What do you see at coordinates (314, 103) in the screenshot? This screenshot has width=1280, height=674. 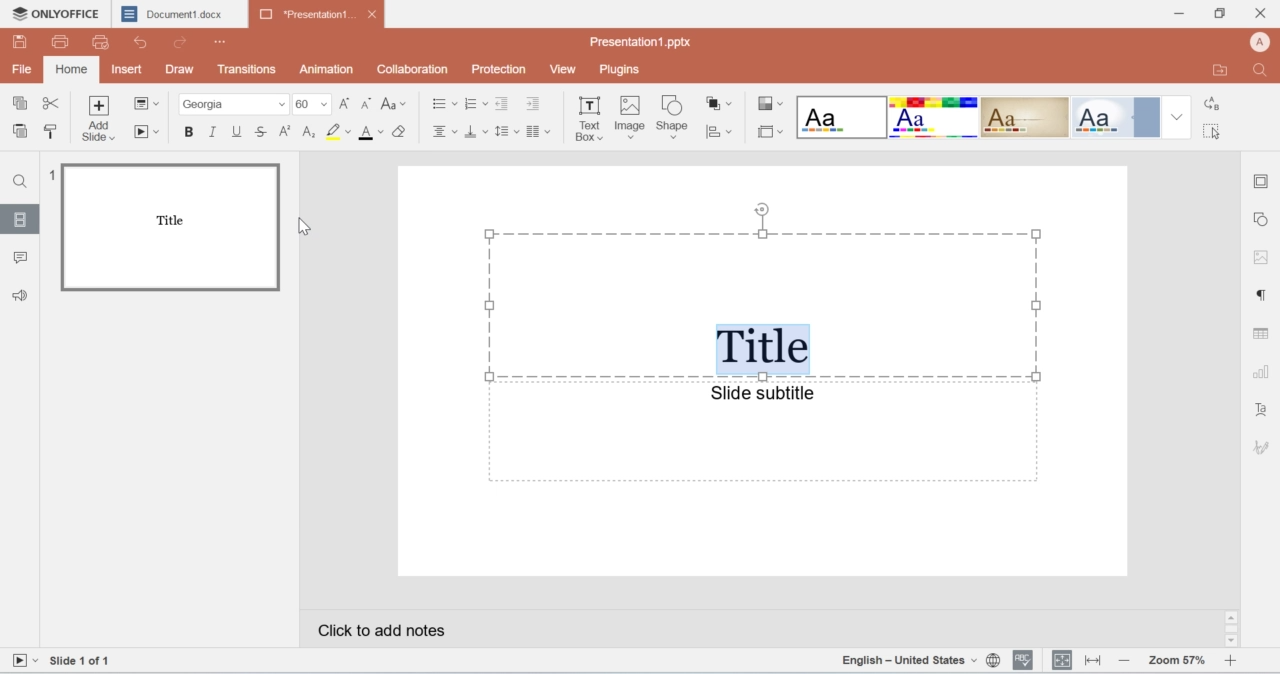 I see `font size` at bounding box center [314, 103].